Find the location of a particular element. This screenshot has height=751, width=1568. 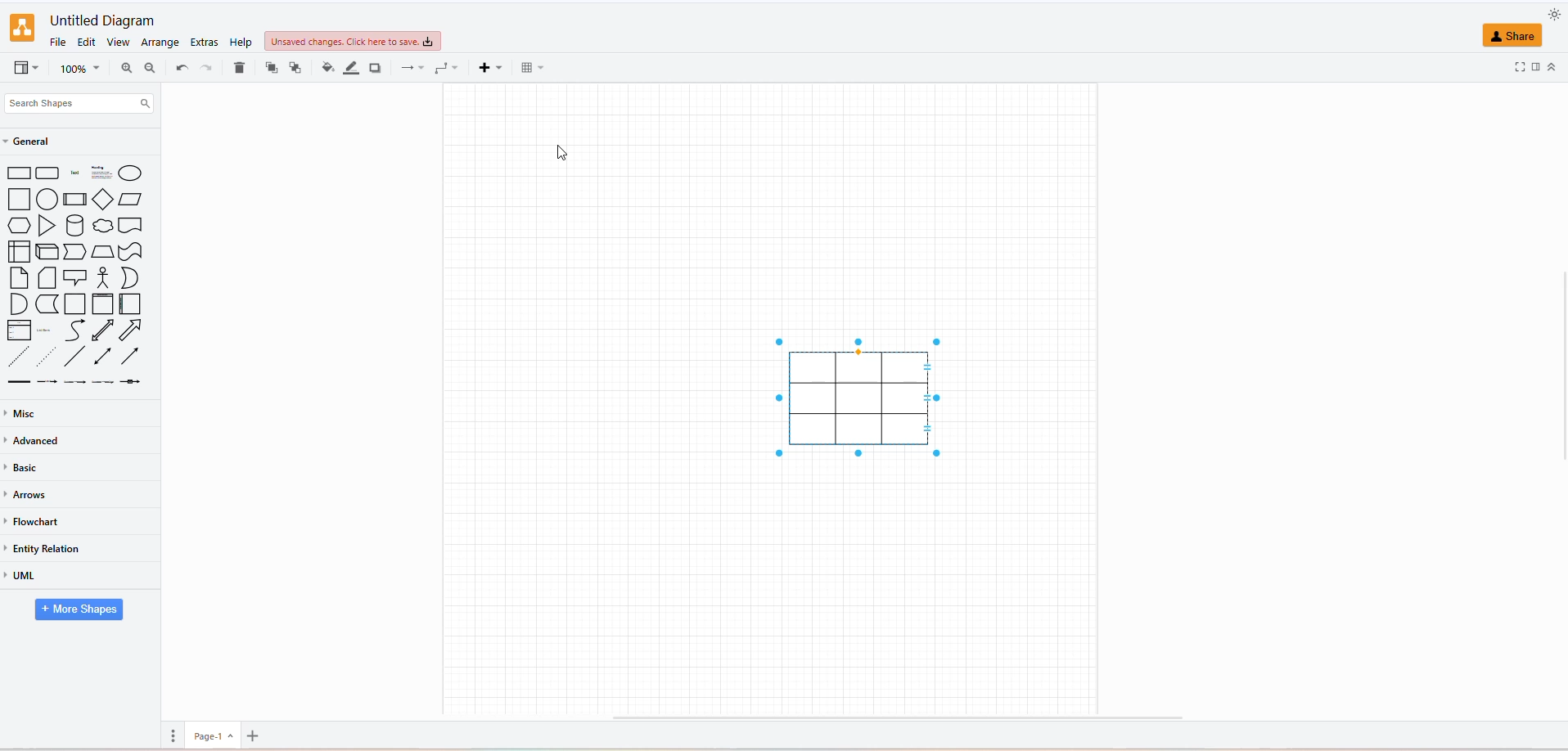

miscellaneous is located at coordinates (24, 414).